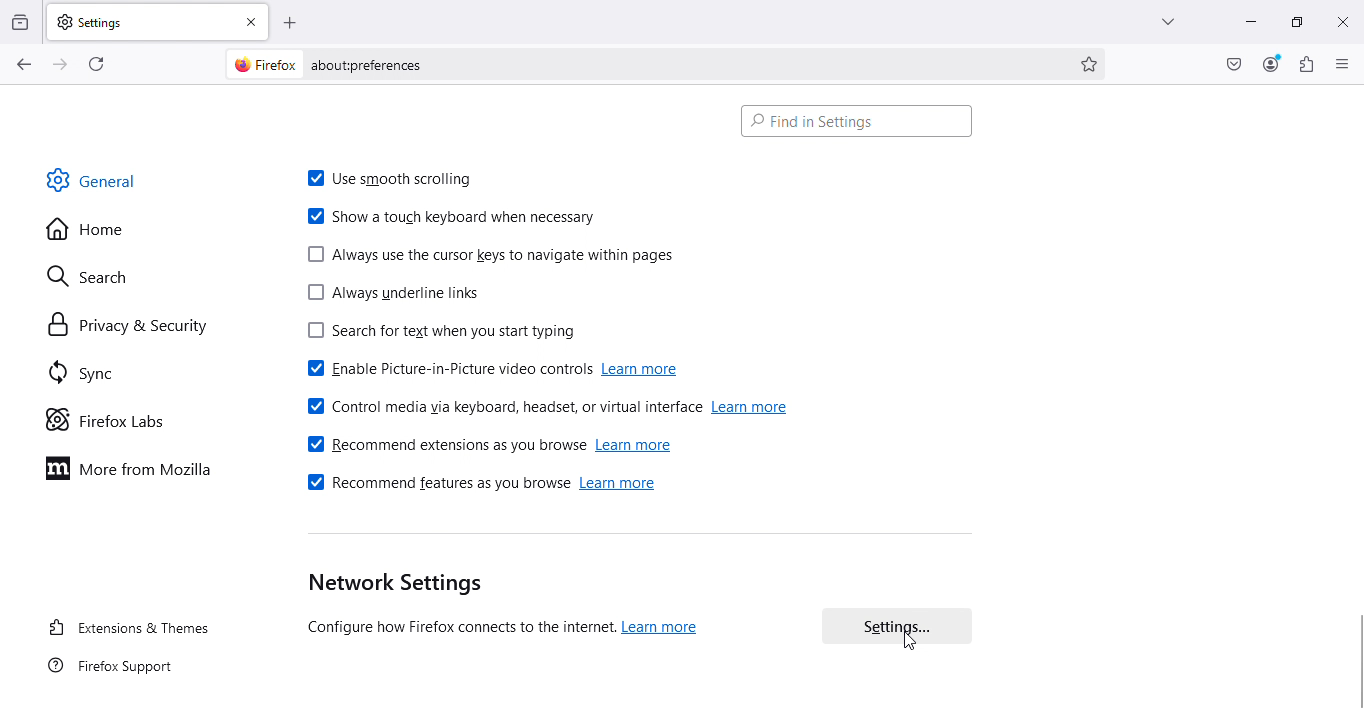 The image size is (1364, 720). Describe the element at coordinates (126, 325) in the screenshot. I see `Privacy and security` at that location.